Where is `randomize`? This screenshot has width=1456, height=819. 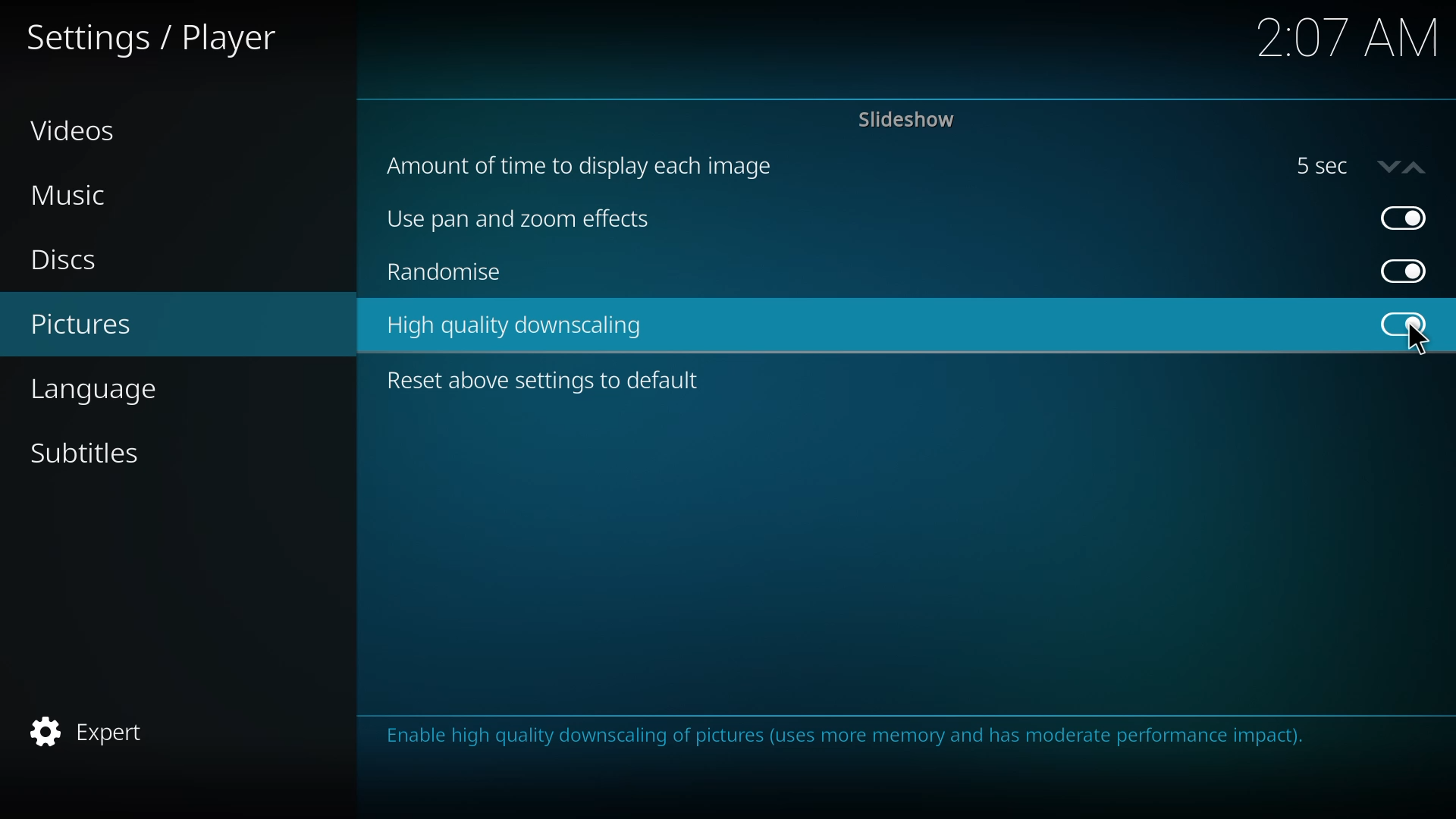 randomize is located at coordinates (447, 275).